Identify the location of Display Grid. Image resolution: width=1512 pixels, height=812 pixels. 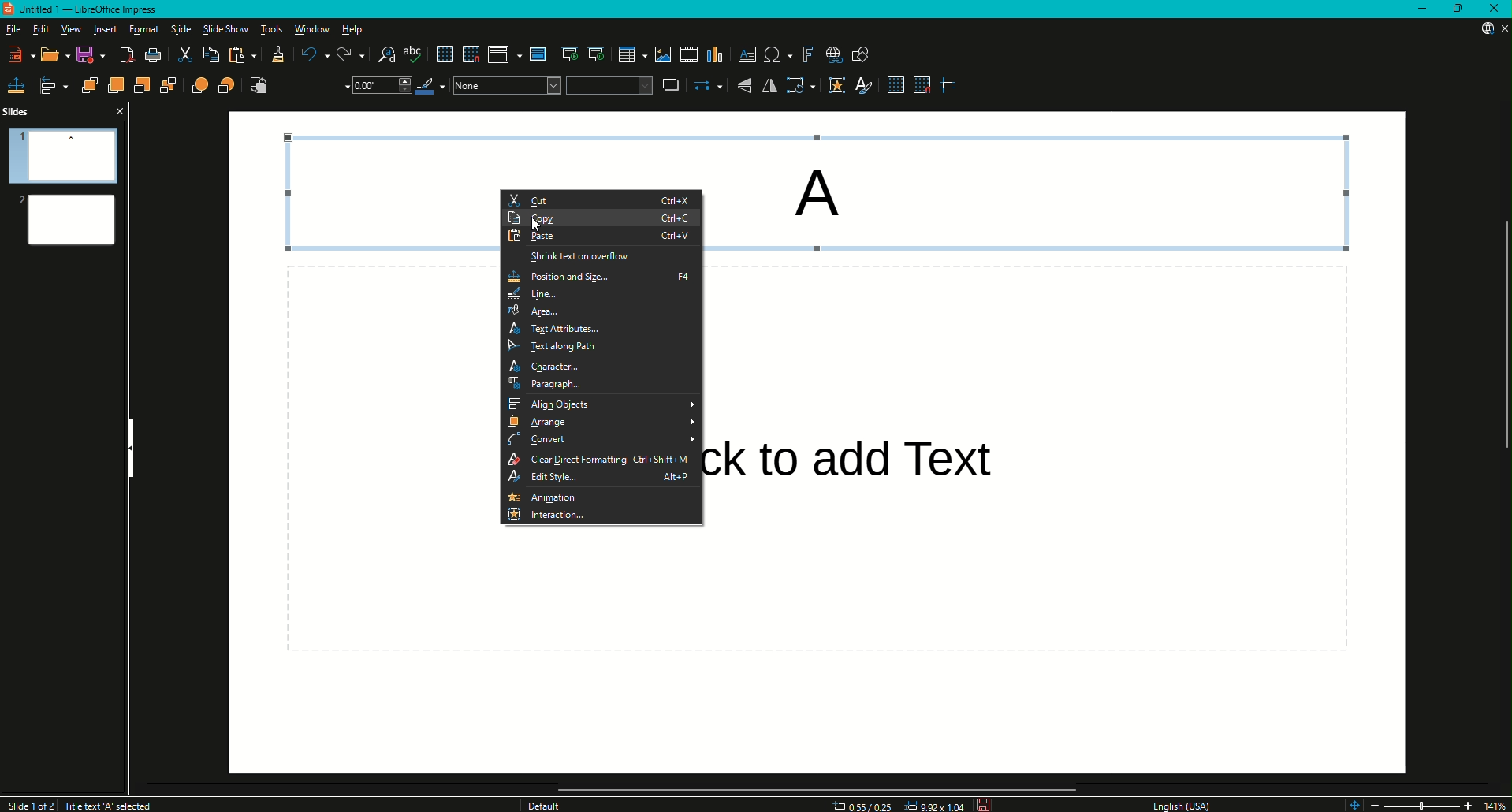
(893, 86).